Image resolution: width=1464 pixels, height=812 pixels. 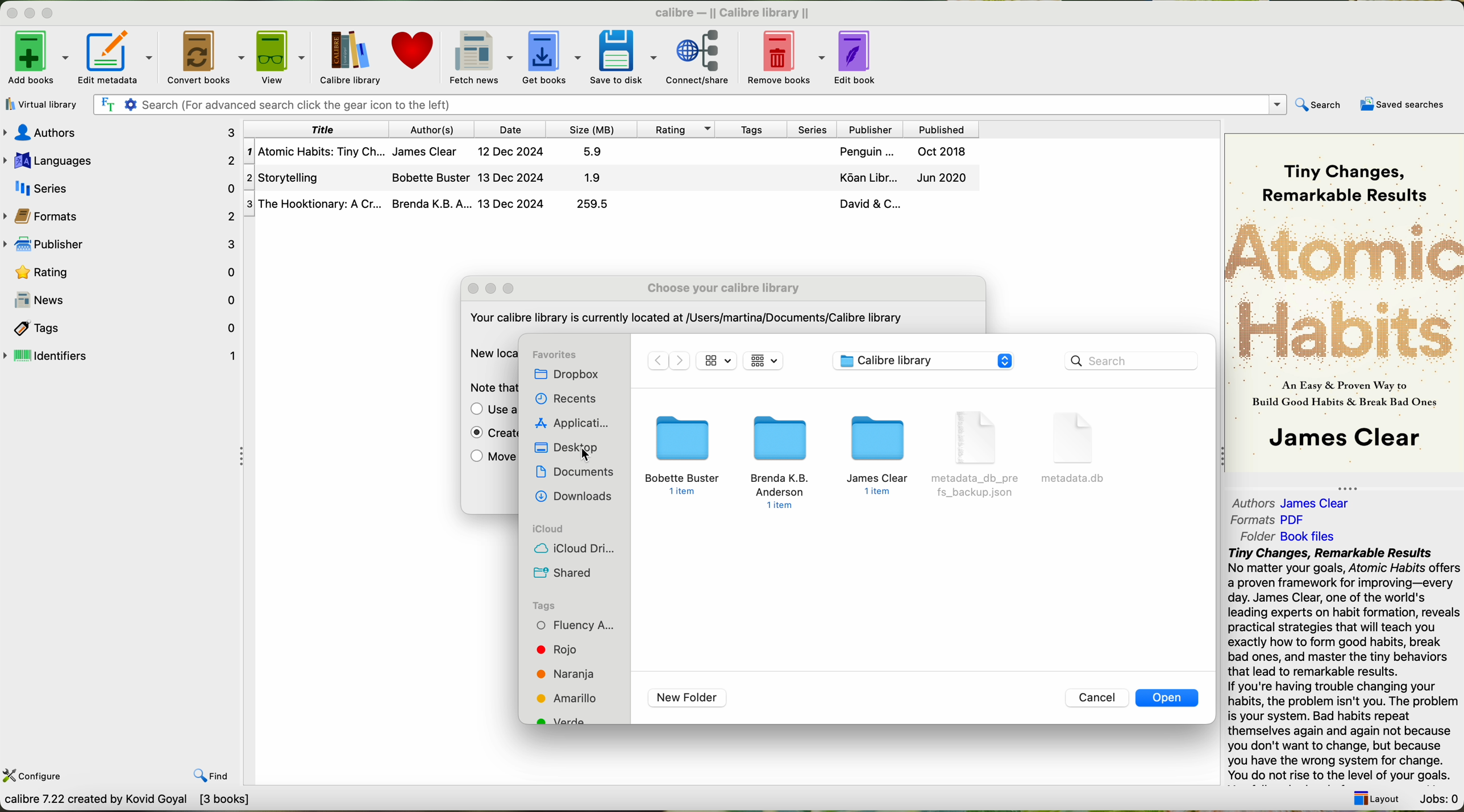 I want to click on calibre library location, so click(x=924, y=360).